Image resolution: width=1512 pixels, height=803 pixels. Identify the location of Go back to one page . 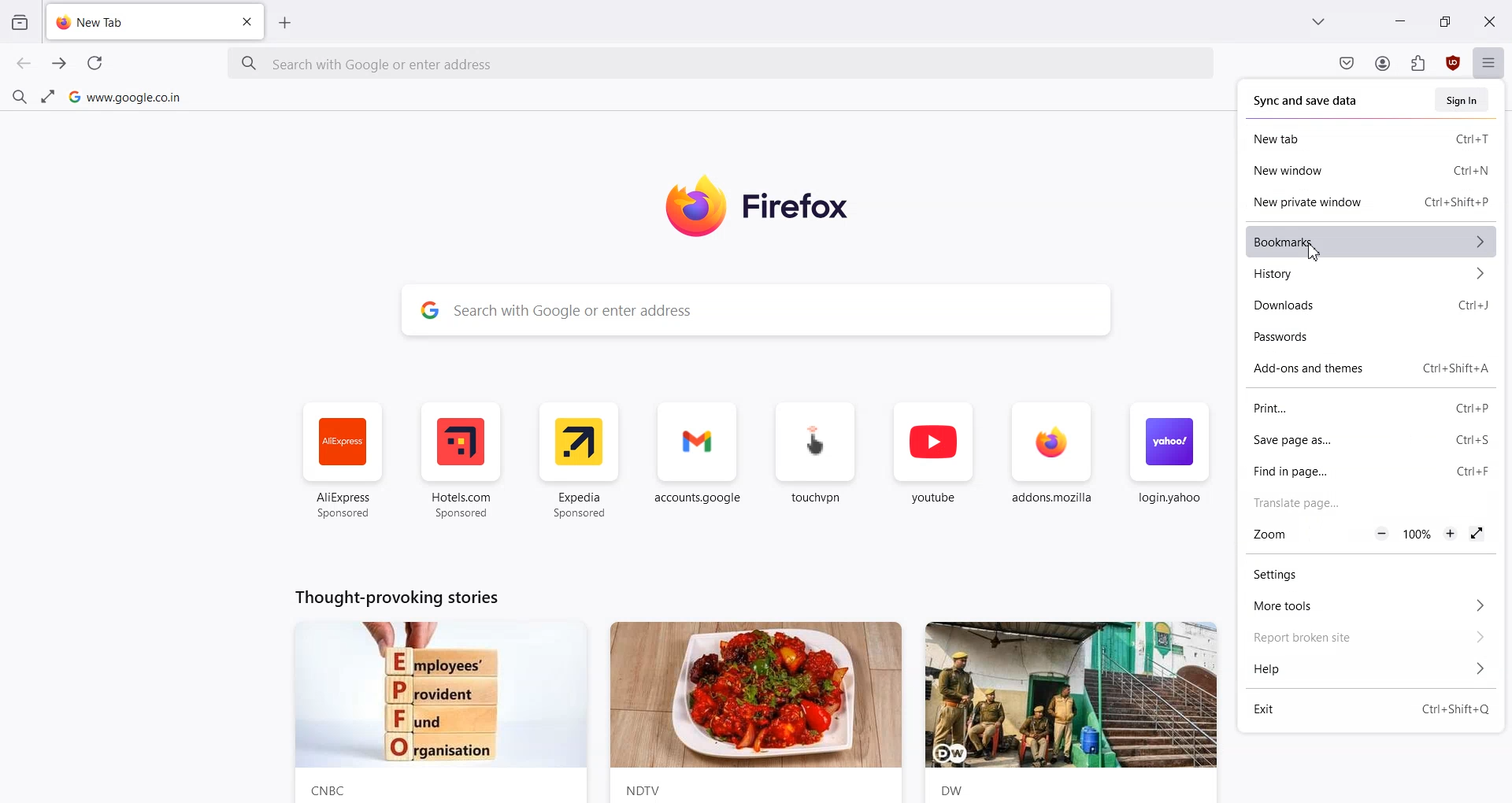
(24, 64).